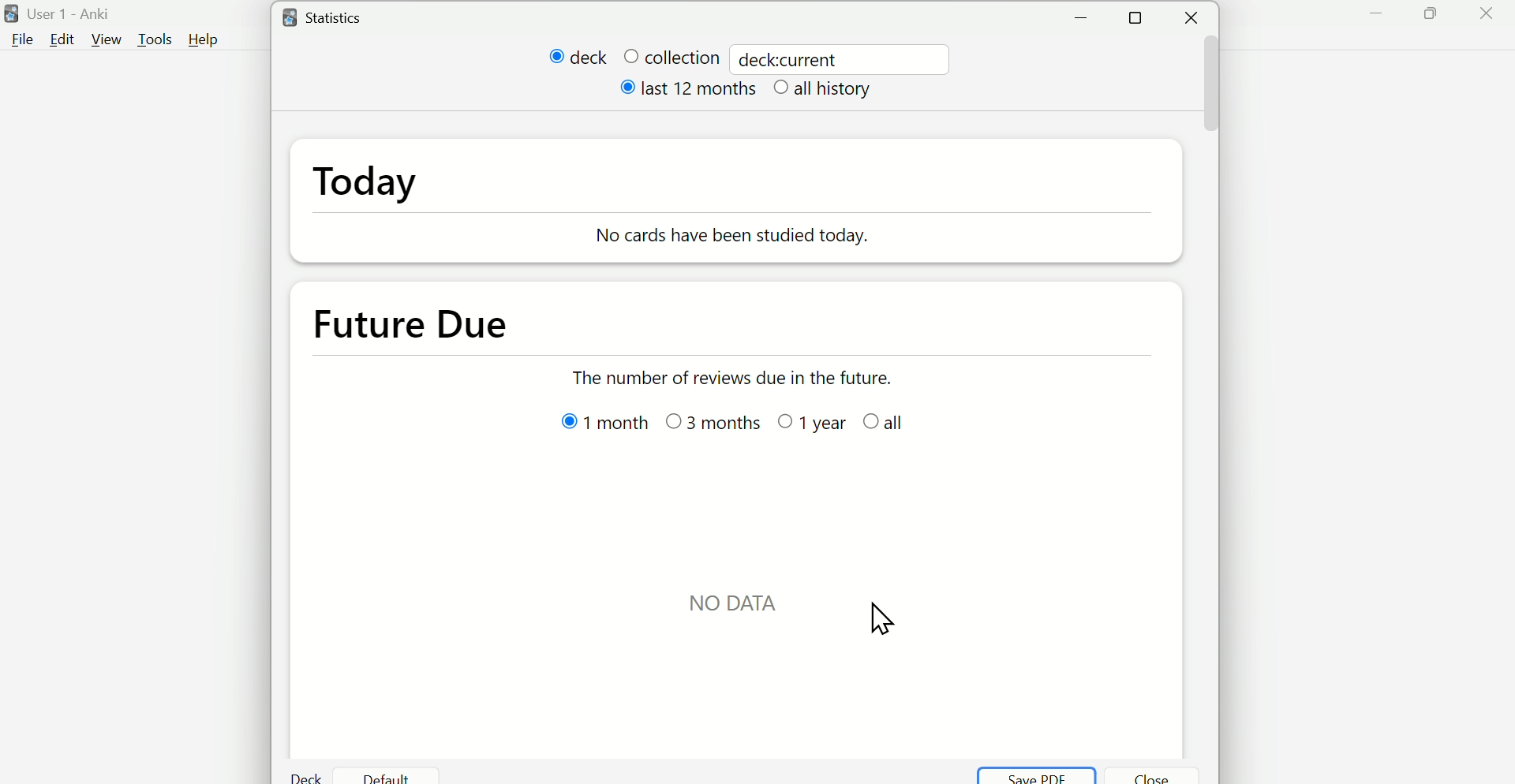  What do you see at coordinates (1437, 17) in the screenshot?
I see `Maximise` at bounding box center [1437, 17].